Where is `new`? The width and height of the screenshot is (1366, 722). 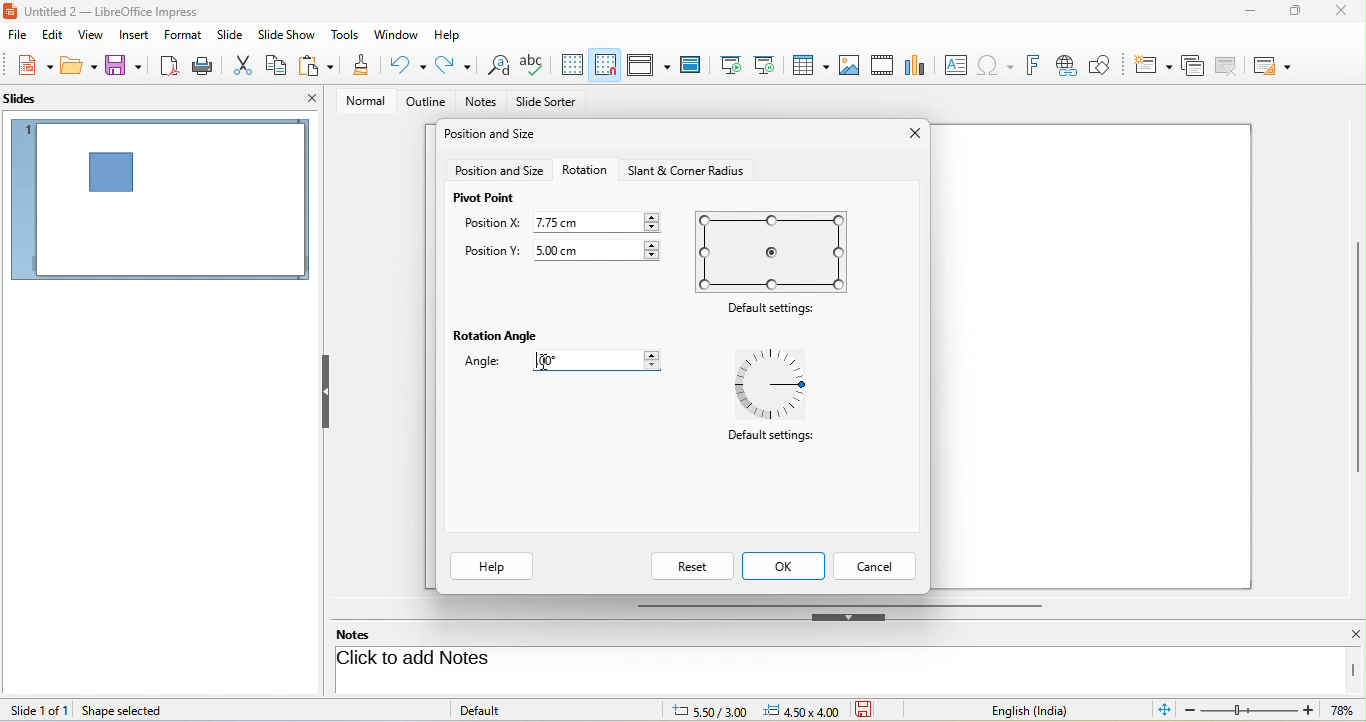
new is located at coordinates (28, 67).